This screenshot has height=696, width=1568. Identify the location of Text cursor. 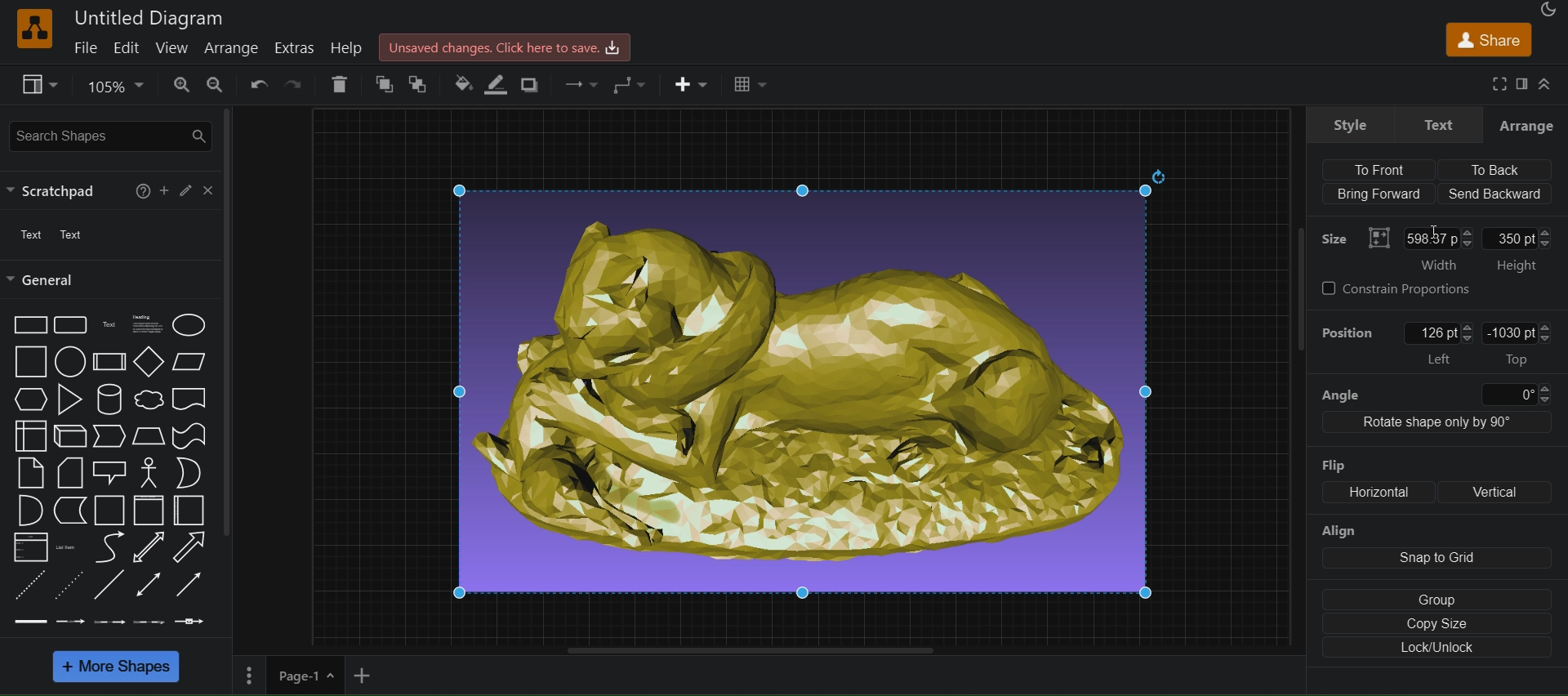
(1442, 234).